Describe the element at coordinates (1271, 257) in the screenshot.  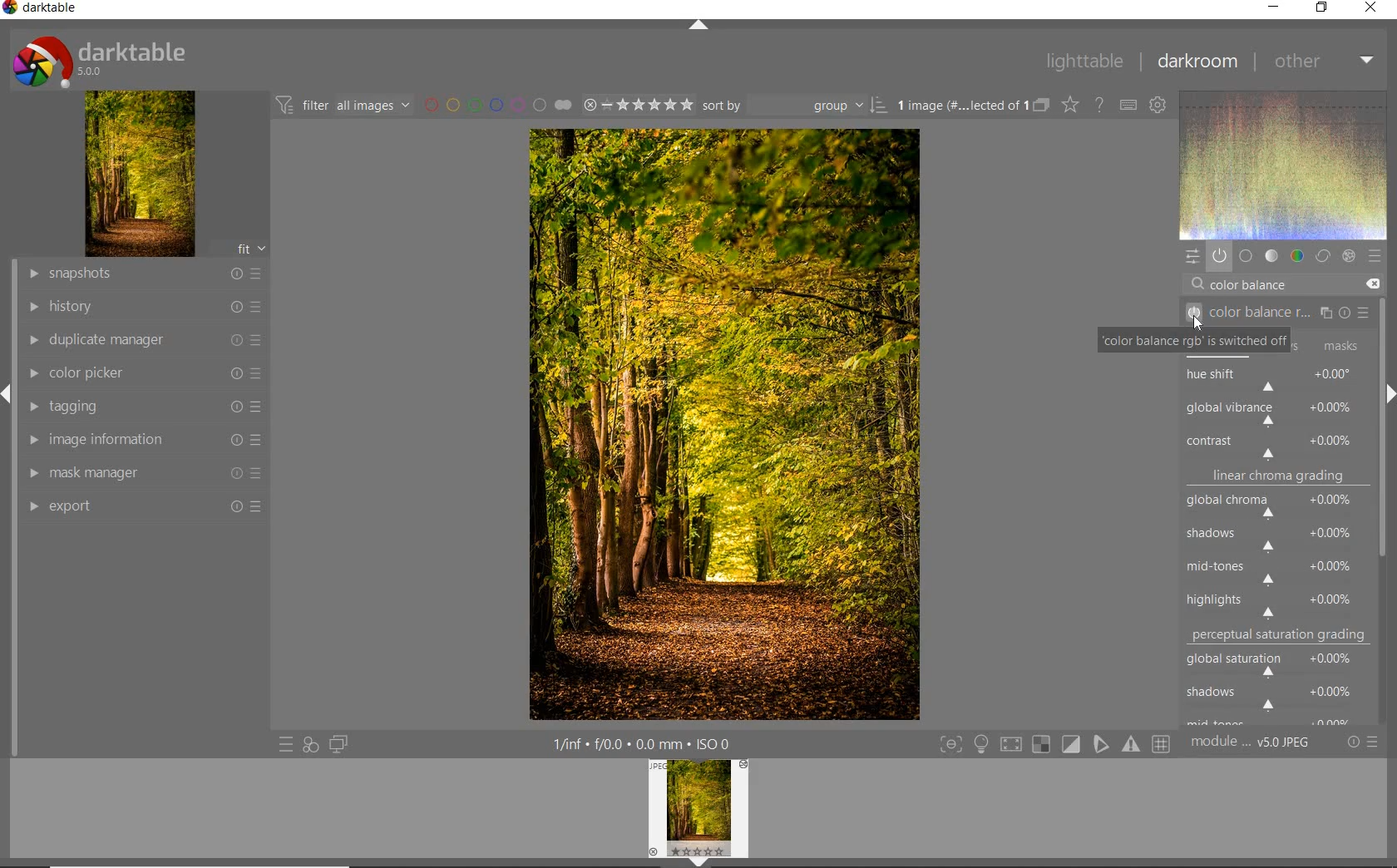
I see `tone` at that location.